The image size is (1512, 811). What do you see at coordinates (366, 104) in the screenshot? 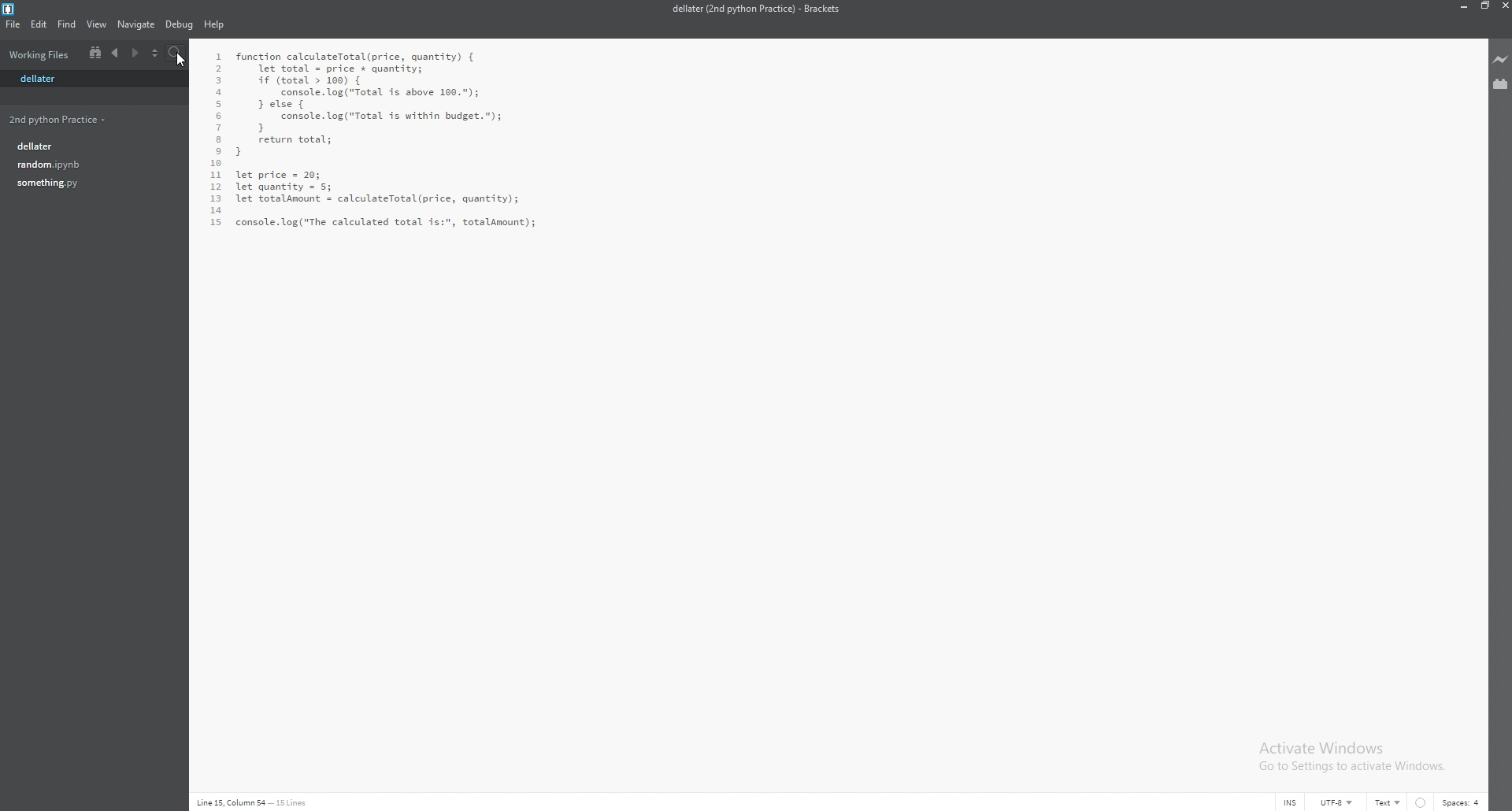
I see `function calculateTotal(price, quantity) { let total = price * quantity; if (total > 100) {console. log("Total is above 100.");} else {  console. log ("Total is within budget."); } return total;}` at bounding box center [366, 104].